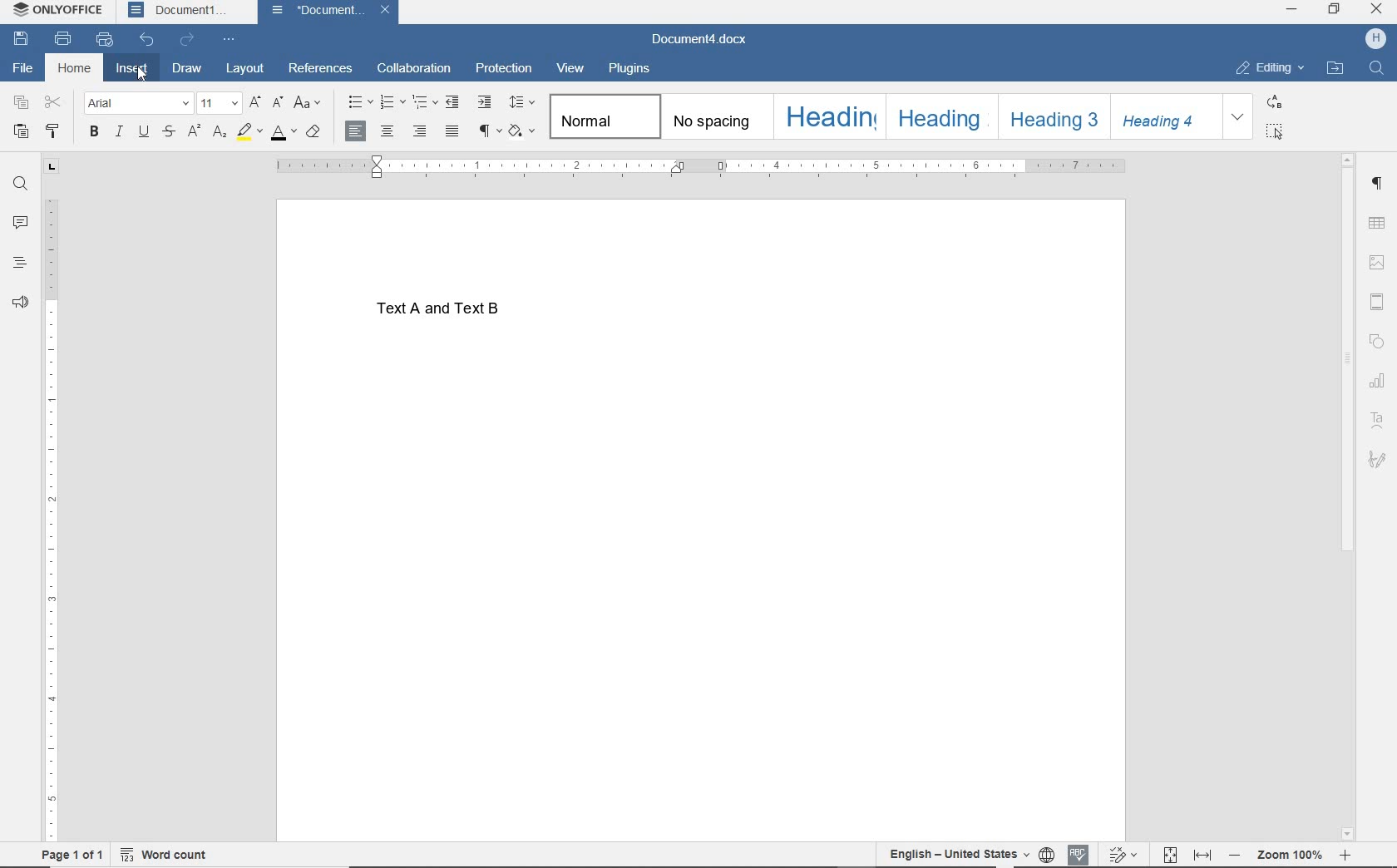 This screenshot has width=1397, height=868. Describe the element at coordinates (699, 165) in the screenshot. I see `RULER` at that location.